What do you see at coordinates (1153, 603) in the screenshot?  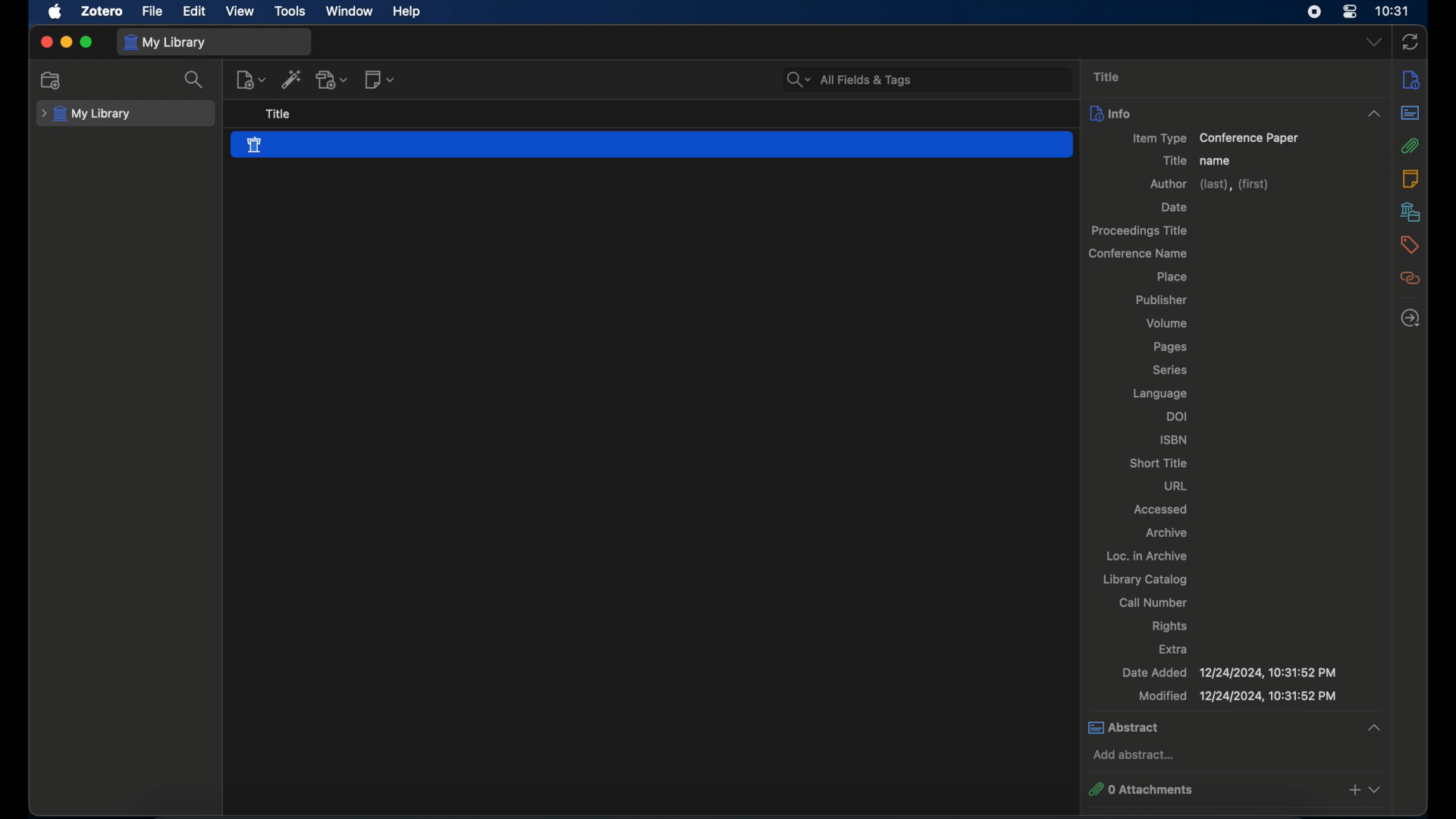 I see `call number` at bounding box center [1153, 603].